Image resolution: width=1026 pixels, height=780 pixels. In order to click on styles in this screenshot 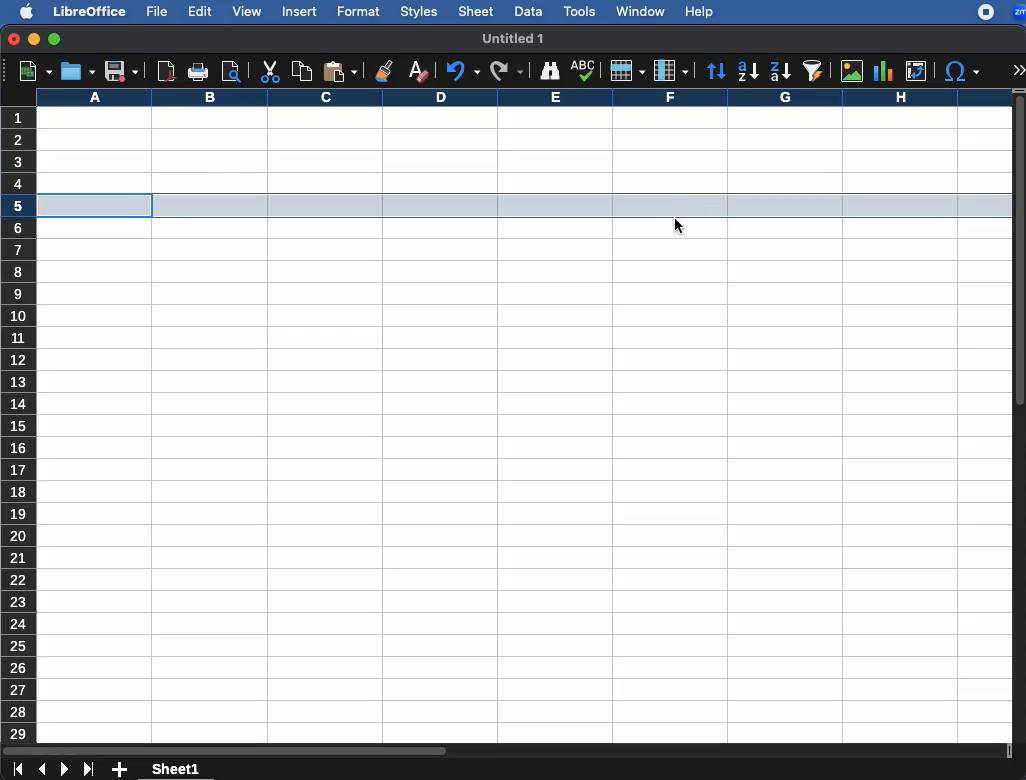, I will do `click(420, 12)`.